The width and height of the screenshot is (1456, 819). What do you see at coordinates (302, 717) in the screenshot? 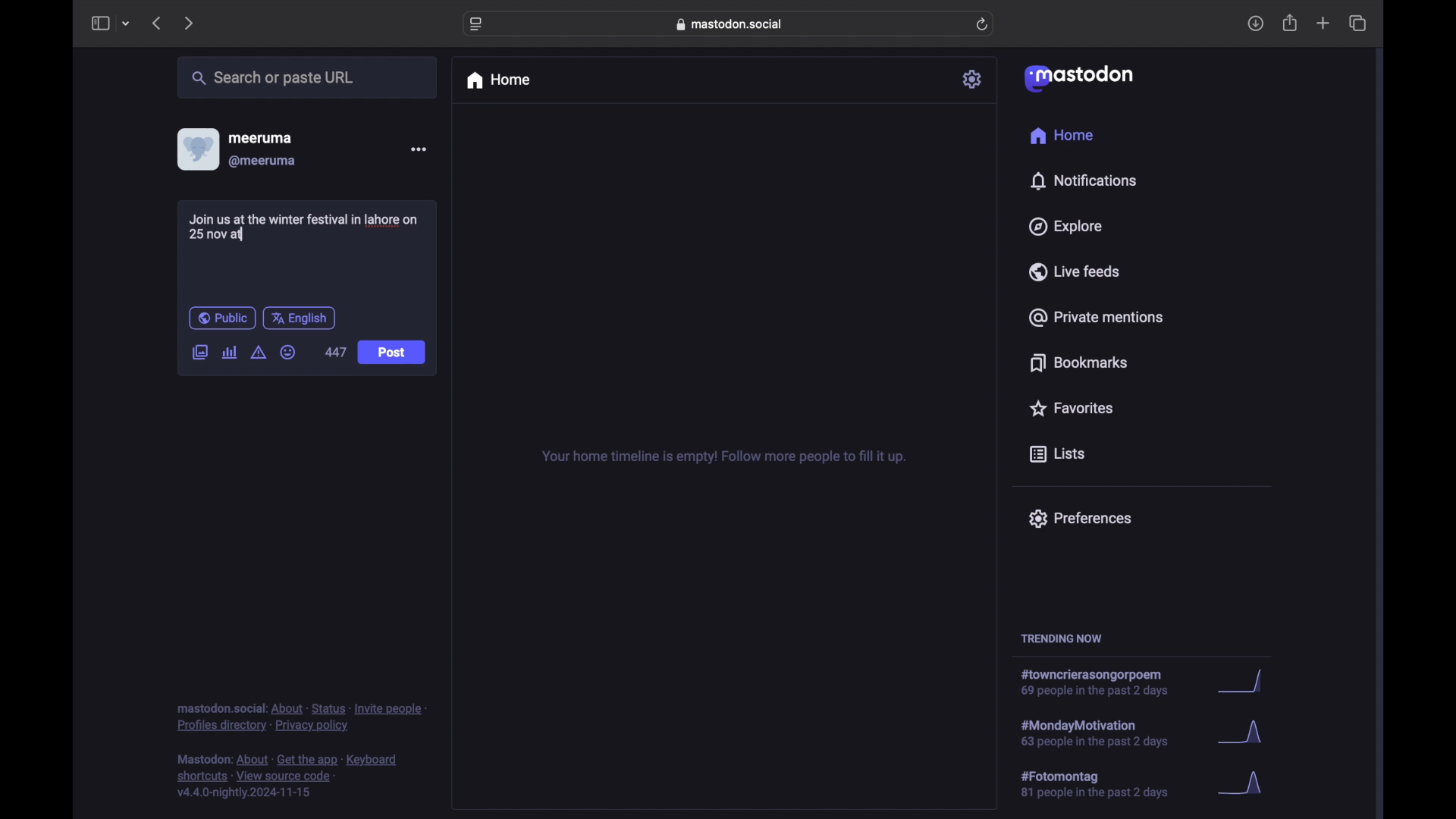
I see `footnote` at bounding box center [302, 717].